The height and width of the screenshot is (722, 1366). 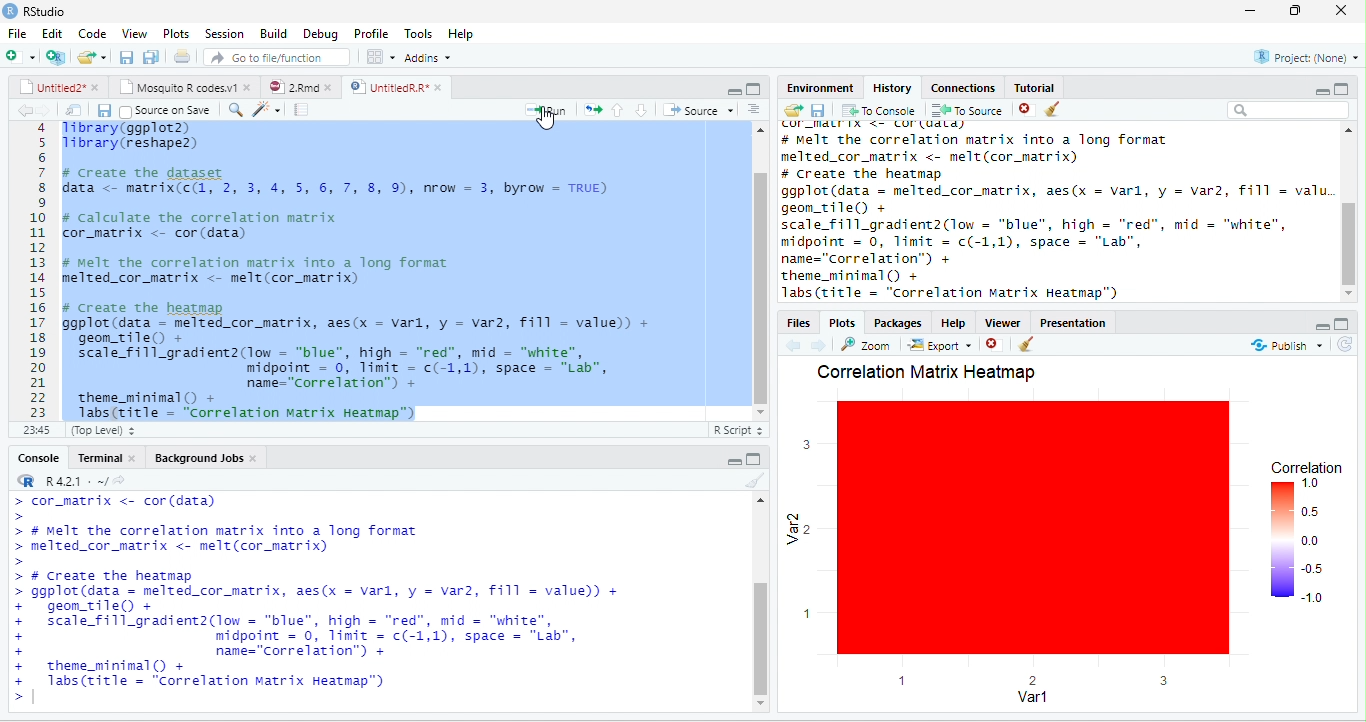 I want to click on , so click(x=644, y=108).